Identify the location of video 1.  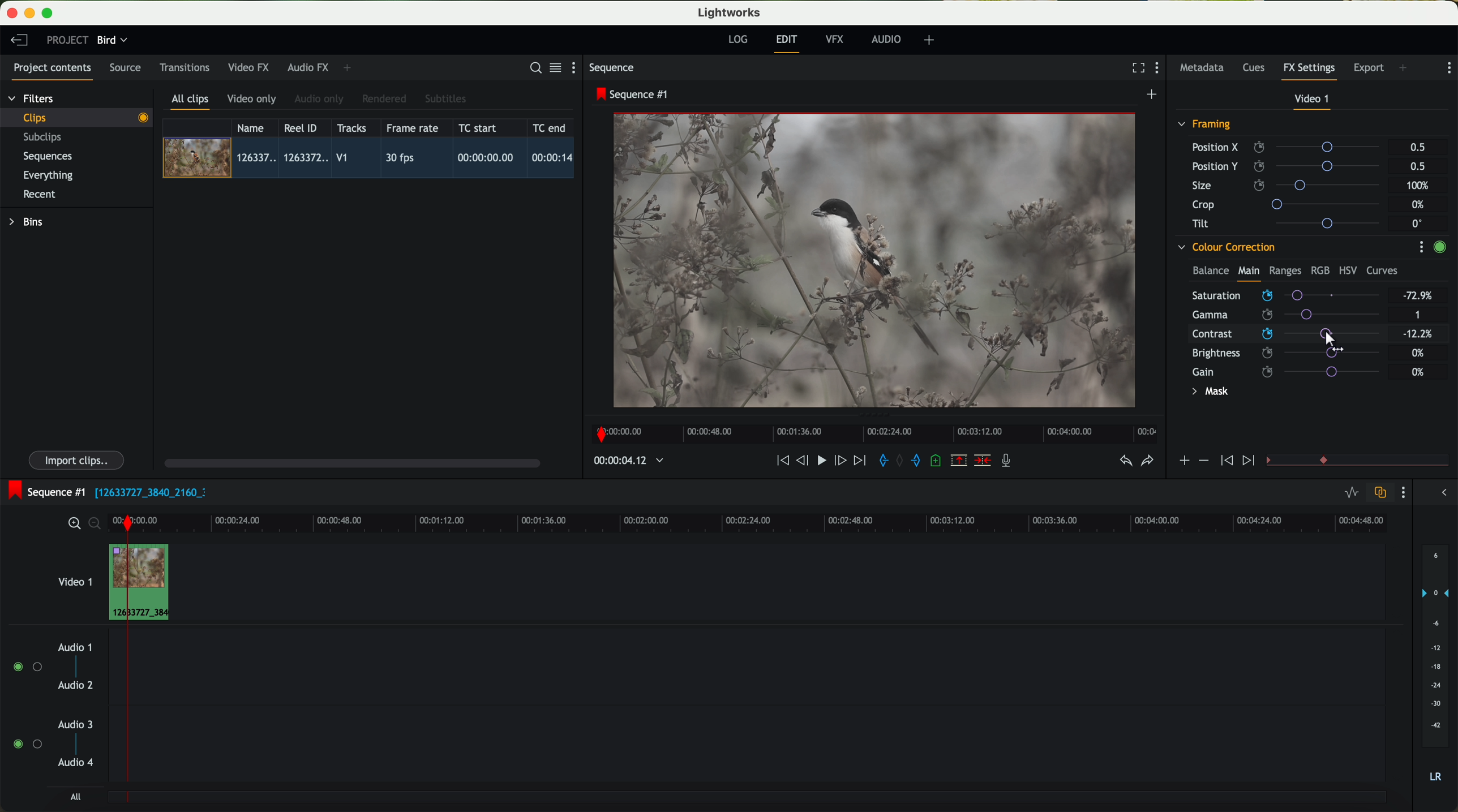
(74, 579).